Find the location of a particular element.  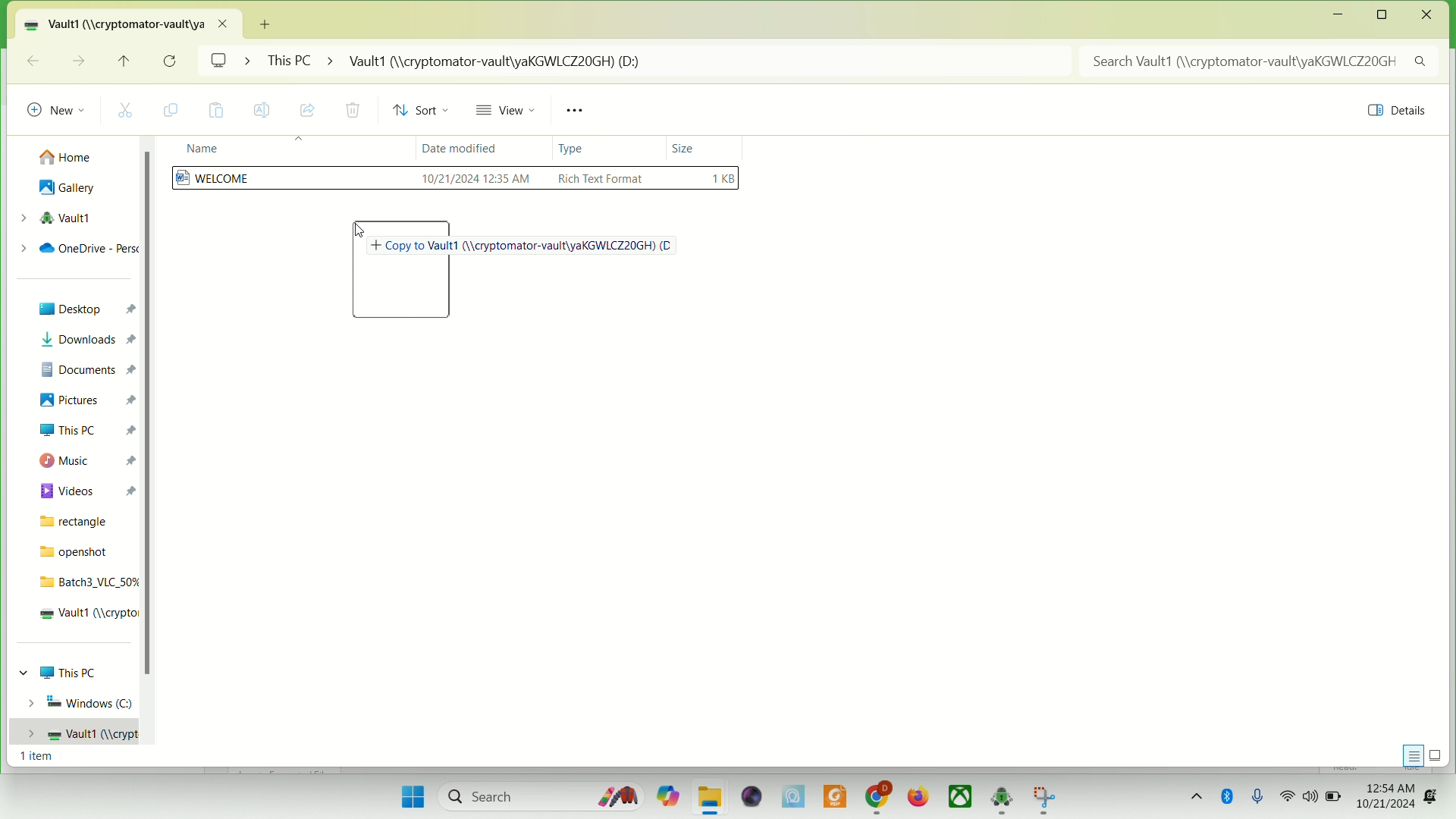

WELCOME file is located at coordinates (457, 181).